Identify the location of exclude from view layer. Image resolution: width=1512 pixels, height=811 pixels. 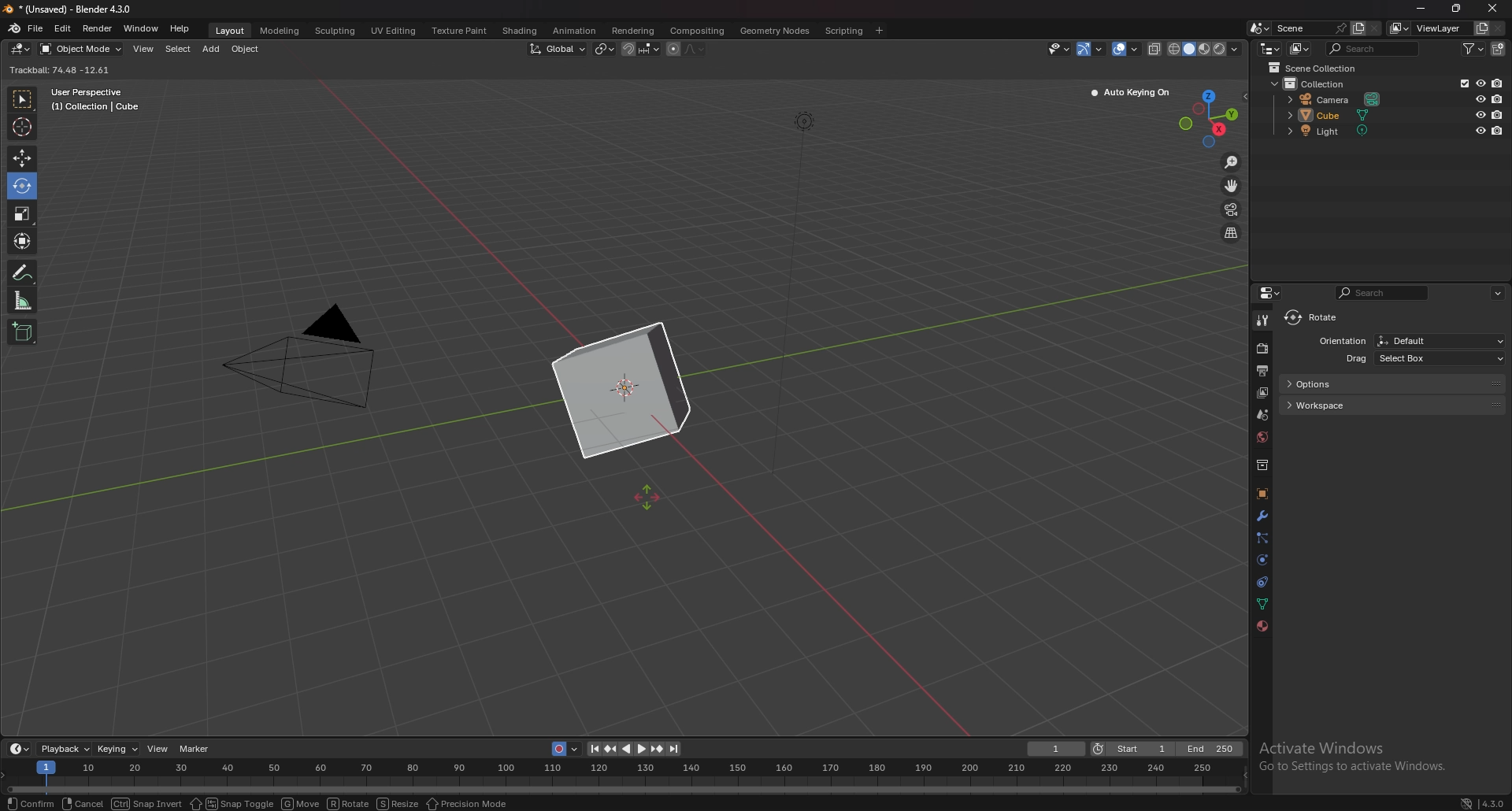
(1462, 83).